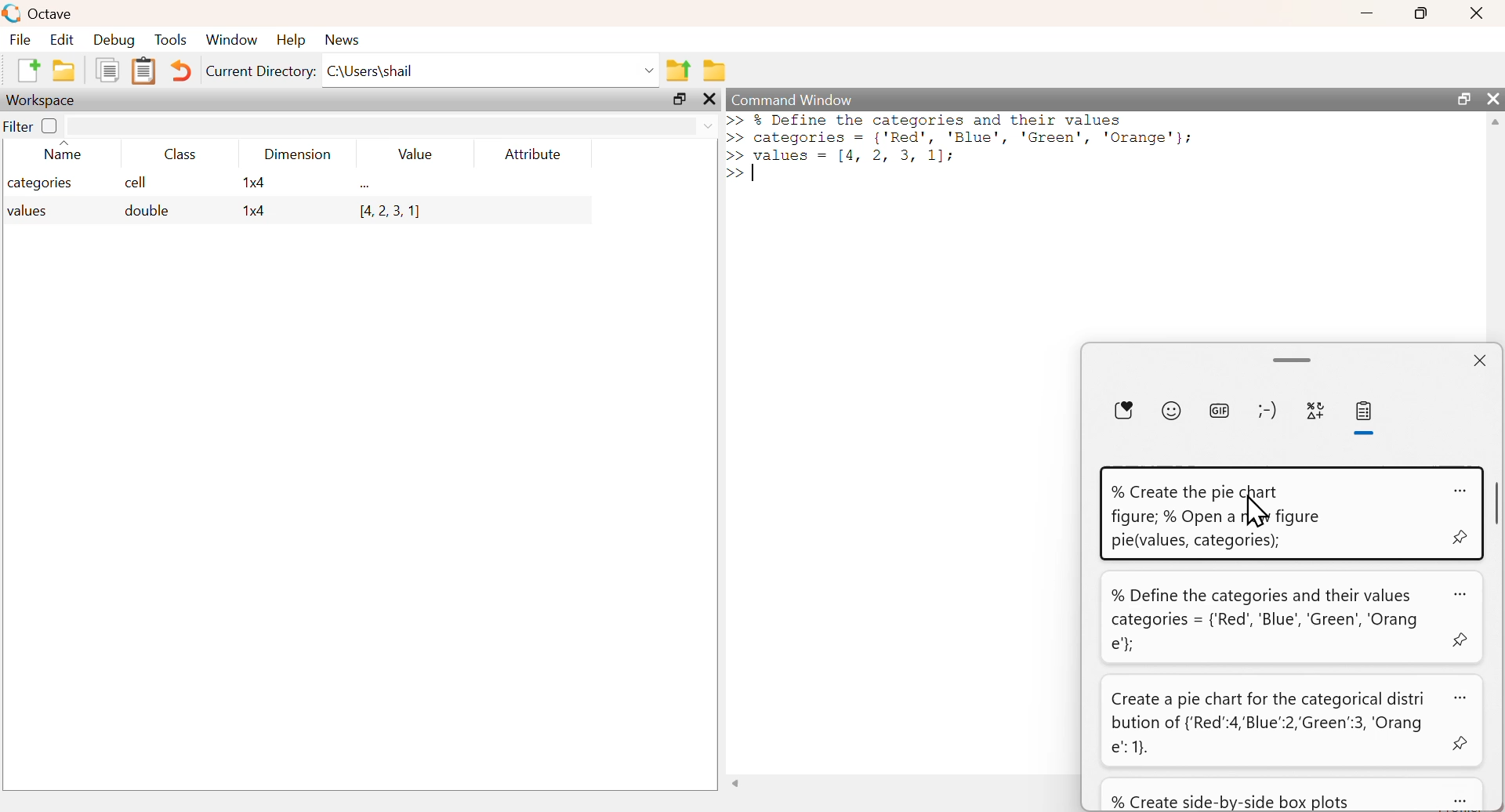 This screenshot has height=812, width=1505. I want to click on Undo, so click(182, 70).